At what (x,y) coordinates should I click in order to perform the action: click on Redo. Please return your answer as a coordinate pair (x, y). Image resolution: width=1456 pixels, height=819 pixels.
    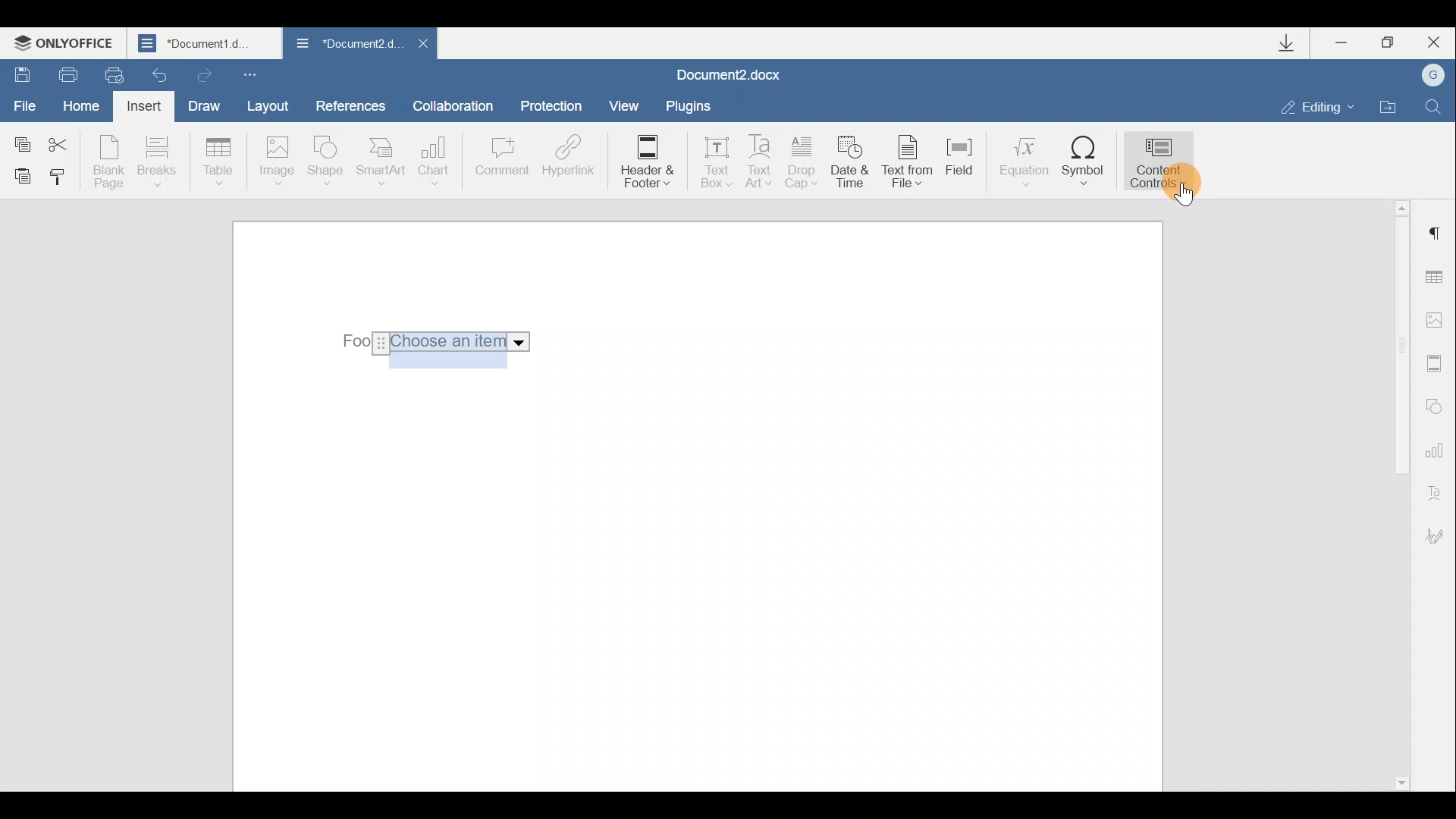
    Looking at the image, I should click on (202, 72).